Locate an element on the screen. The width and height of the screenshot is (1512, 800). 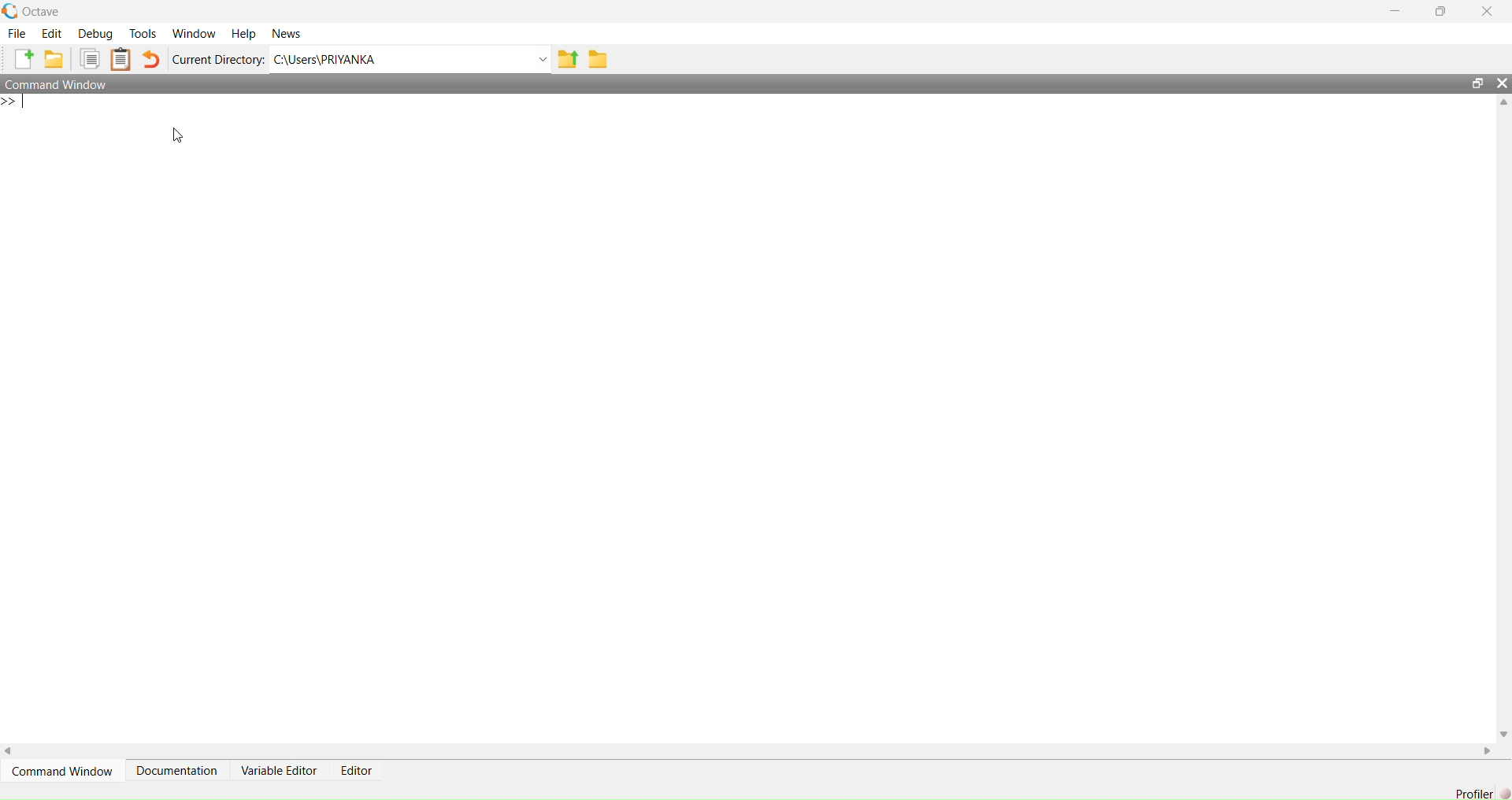
Help is located at coordinates (243, 30).